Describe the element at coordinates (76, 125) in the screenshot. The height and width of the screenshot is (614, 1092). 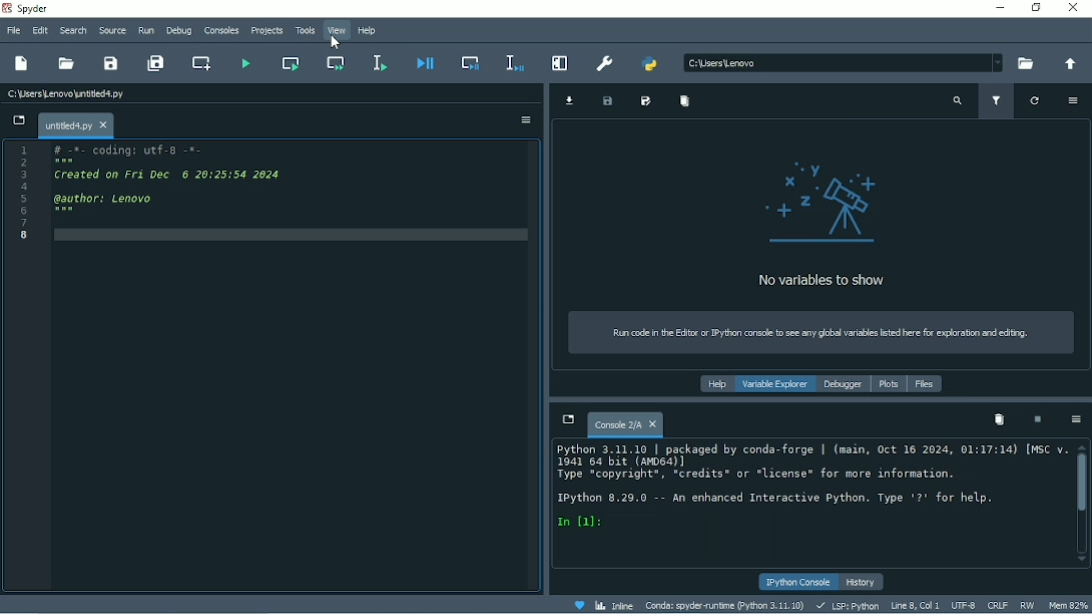
I see `File name` at that location.